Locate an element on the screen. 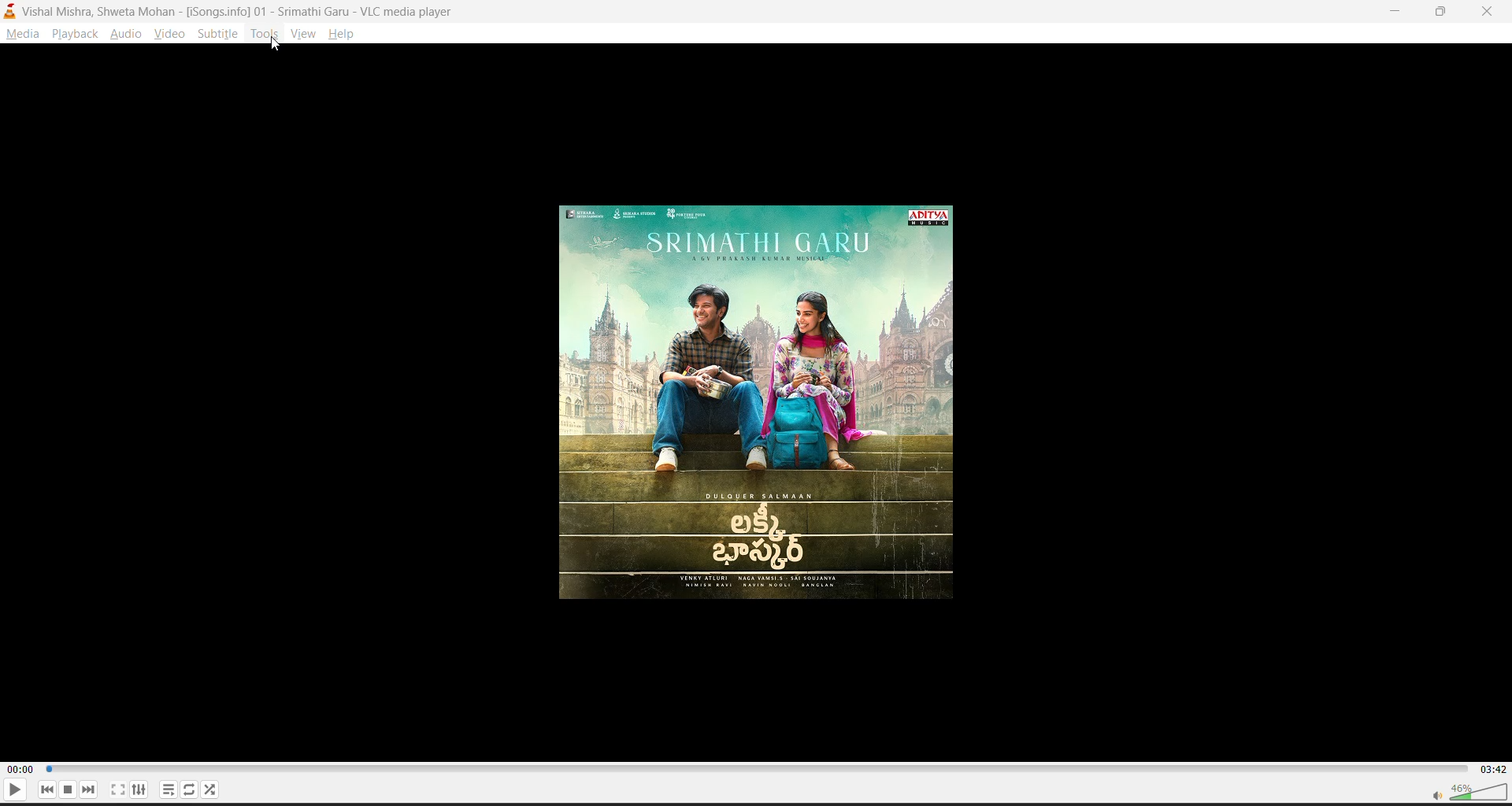 The width and height of the screenshot is (1512, 806). minimize is located at coordinates (1396, 12).